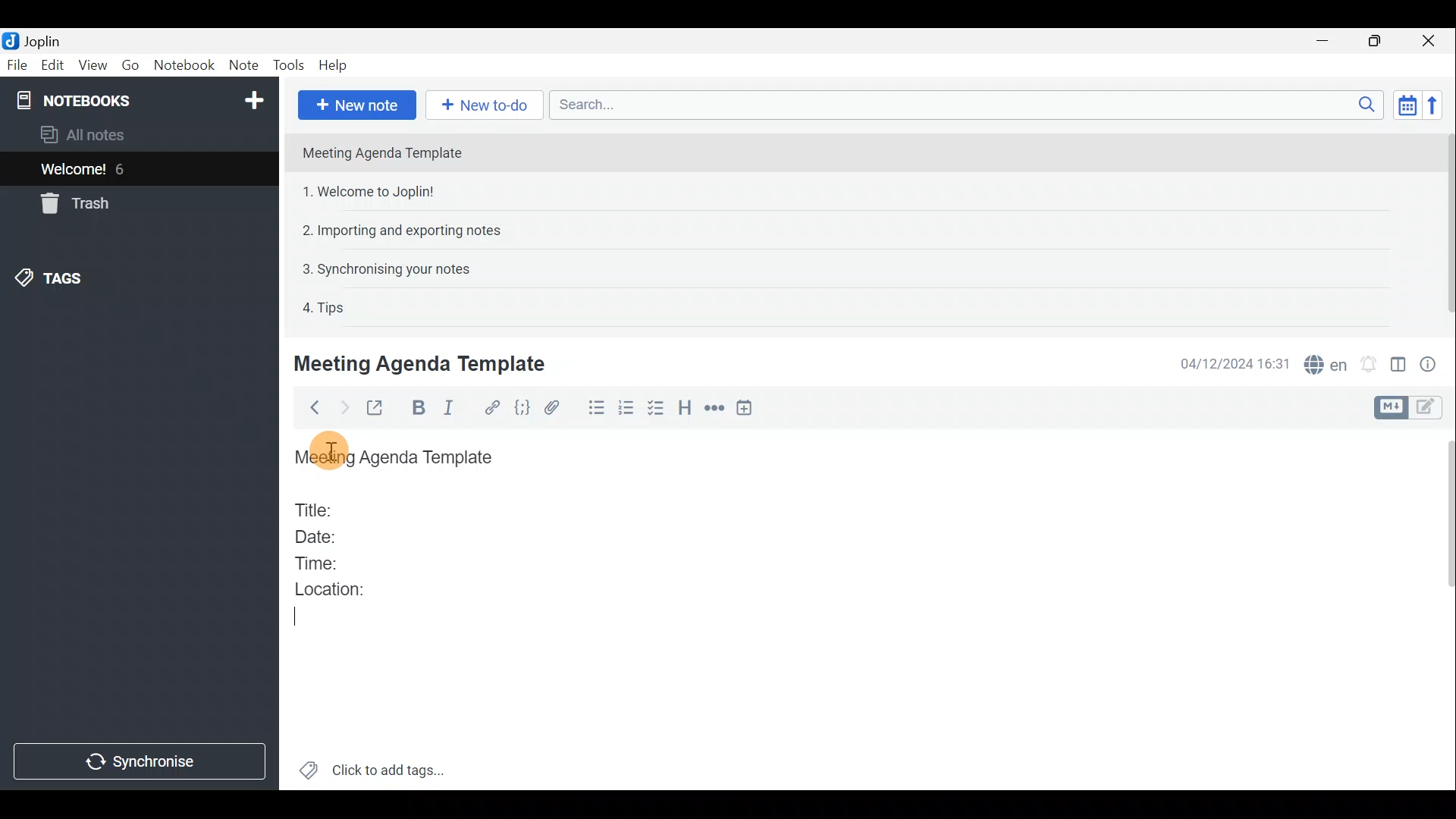  Describe the element at coordinates (325, 307) in the screenshot. I see `4. Tips` at that location.